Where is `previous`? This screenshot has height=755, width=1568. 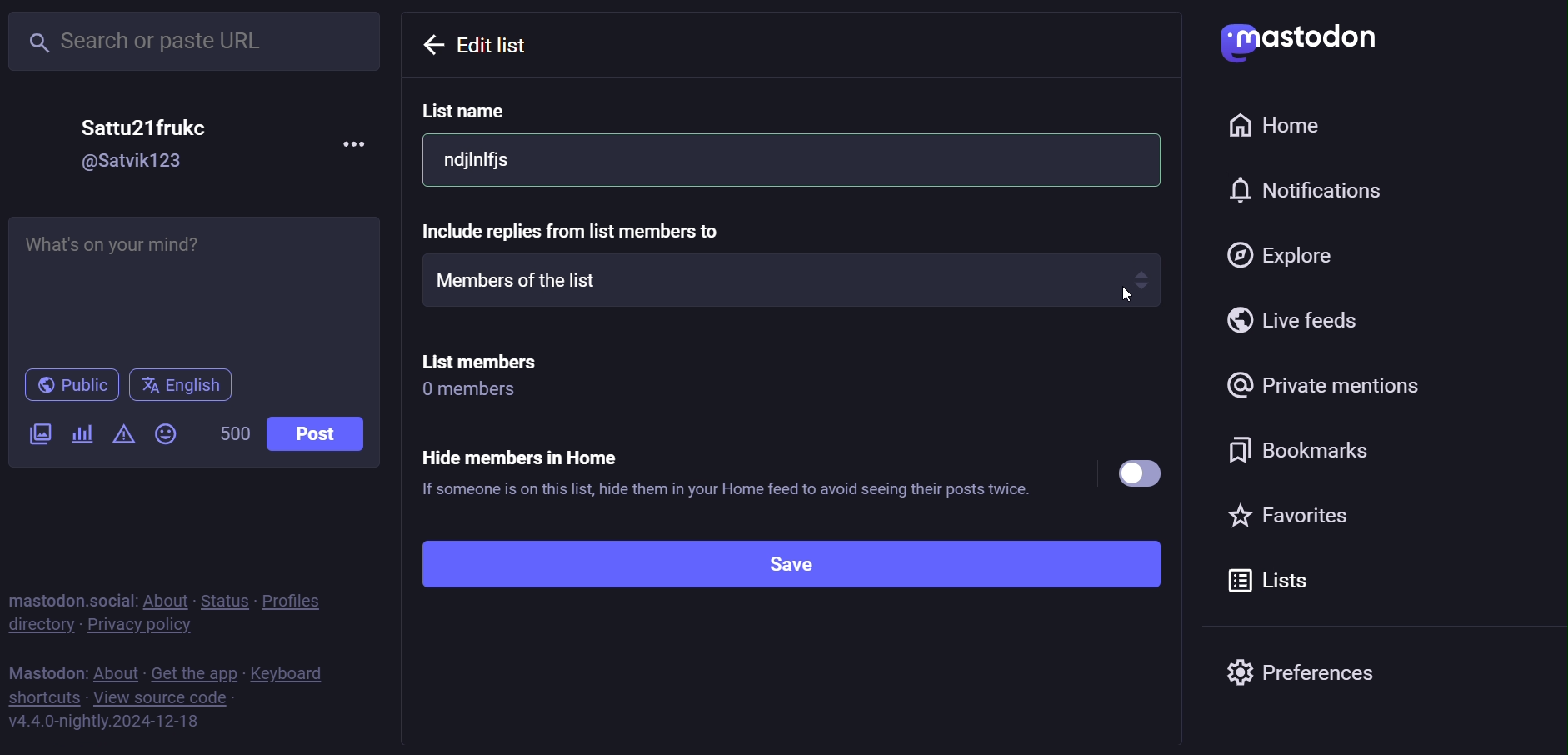 previous is located at coordinates (478, 45).